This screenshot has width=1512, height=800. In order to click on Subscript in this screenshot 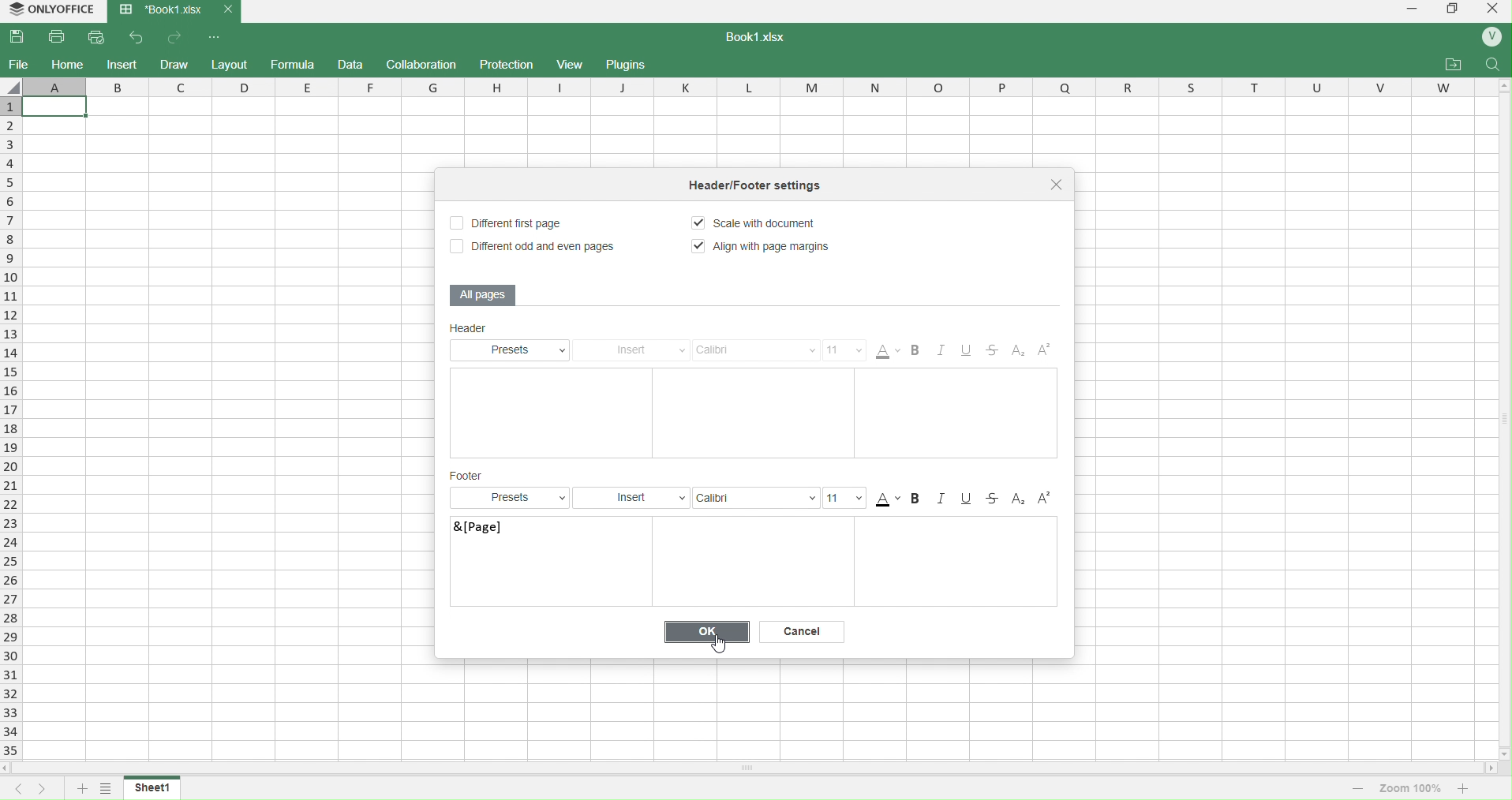, I will do `click(1017, 352)`.